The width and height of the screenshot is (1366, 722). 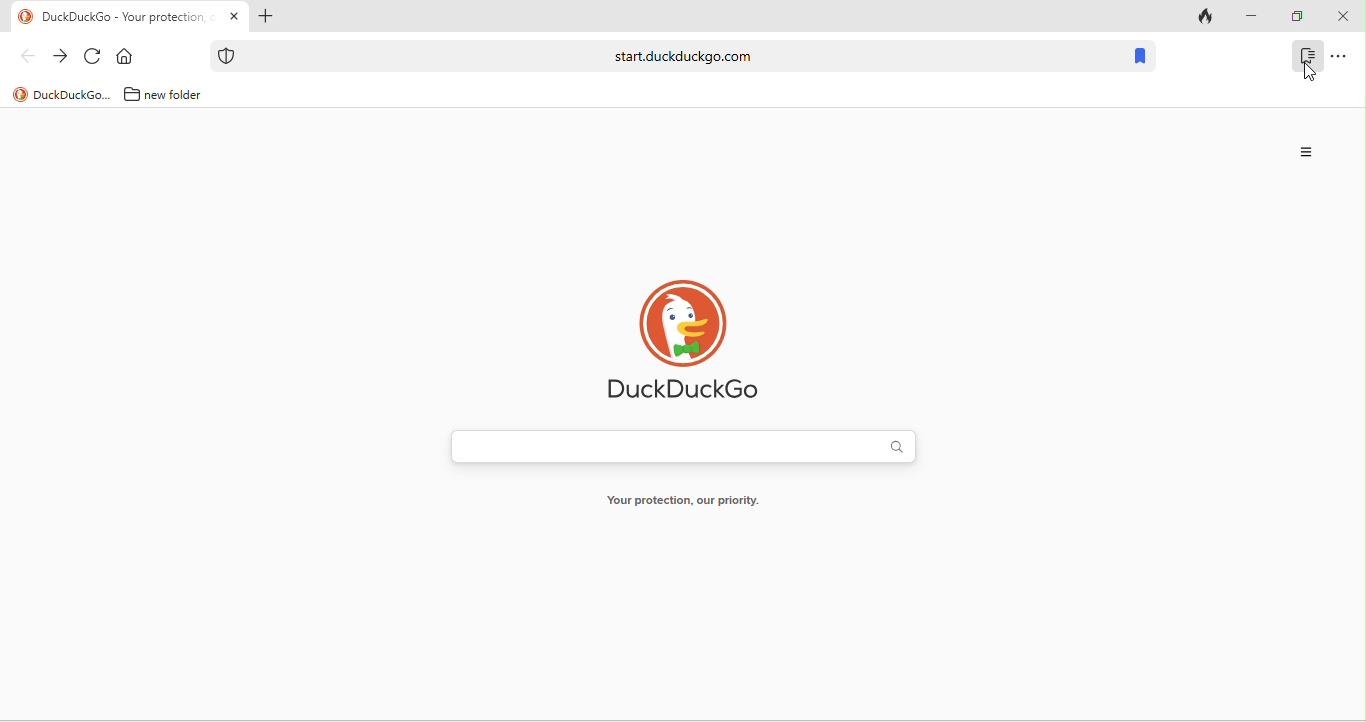 What do you see at coordinates (687, 340) in the screenshot?
I see `duck duck go logo` at bounding box center [687, 340].